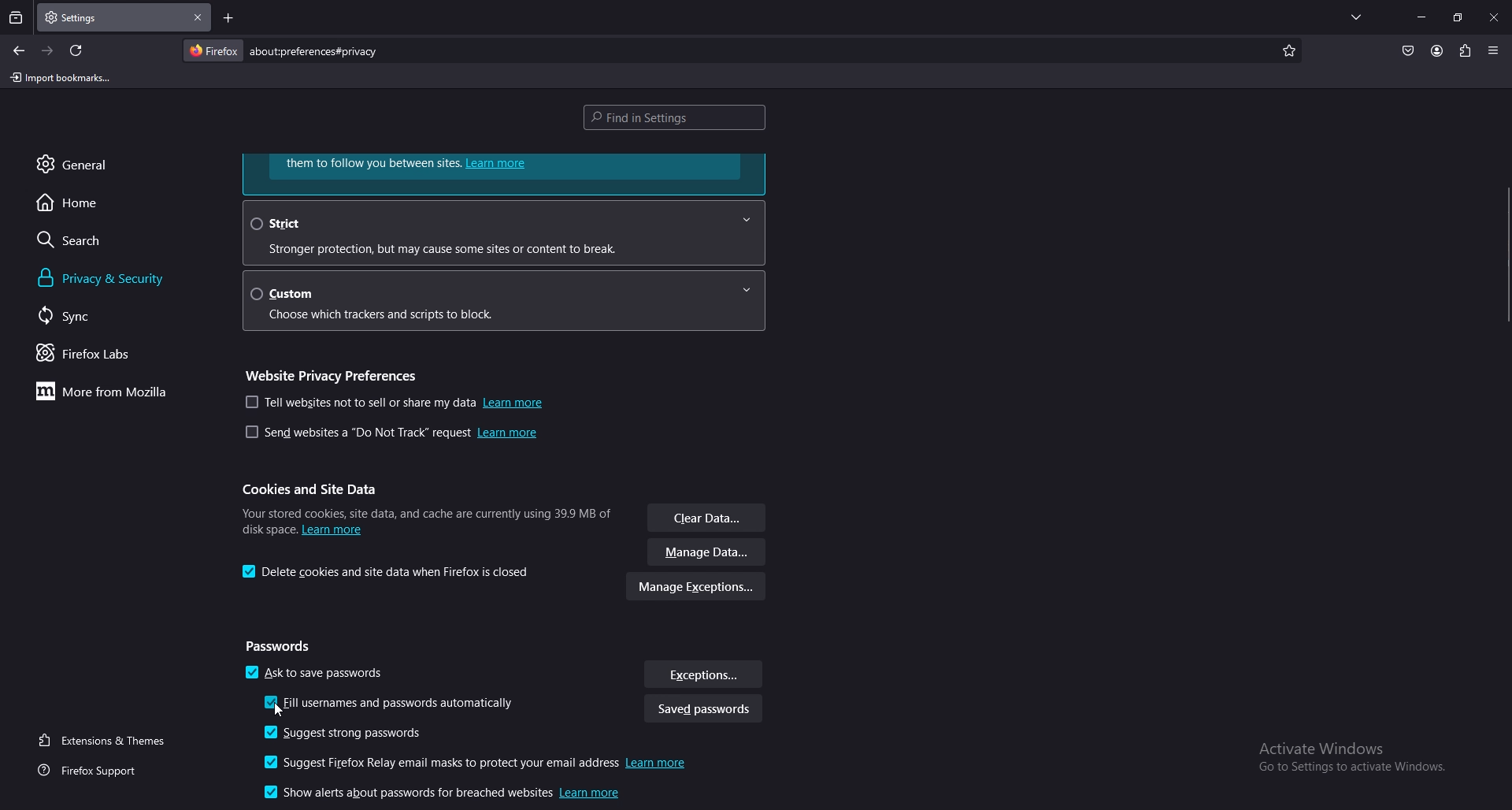 The image size is (1512, 810). I want to click on import bookmarks, so click(61, 79).